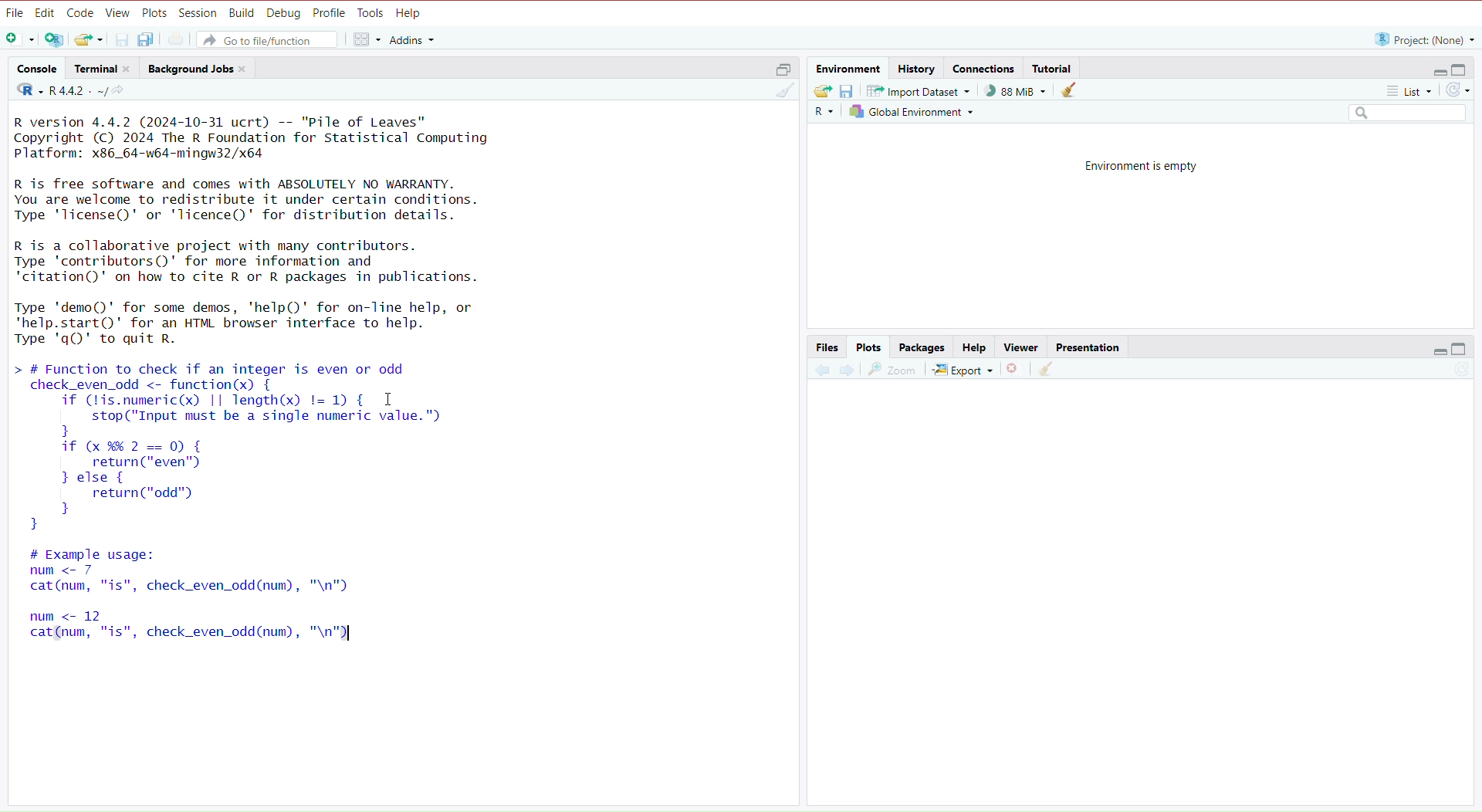 The width and height of the screenshot is (1482, 812). I want to click on save workspace as, so click(851, 92).